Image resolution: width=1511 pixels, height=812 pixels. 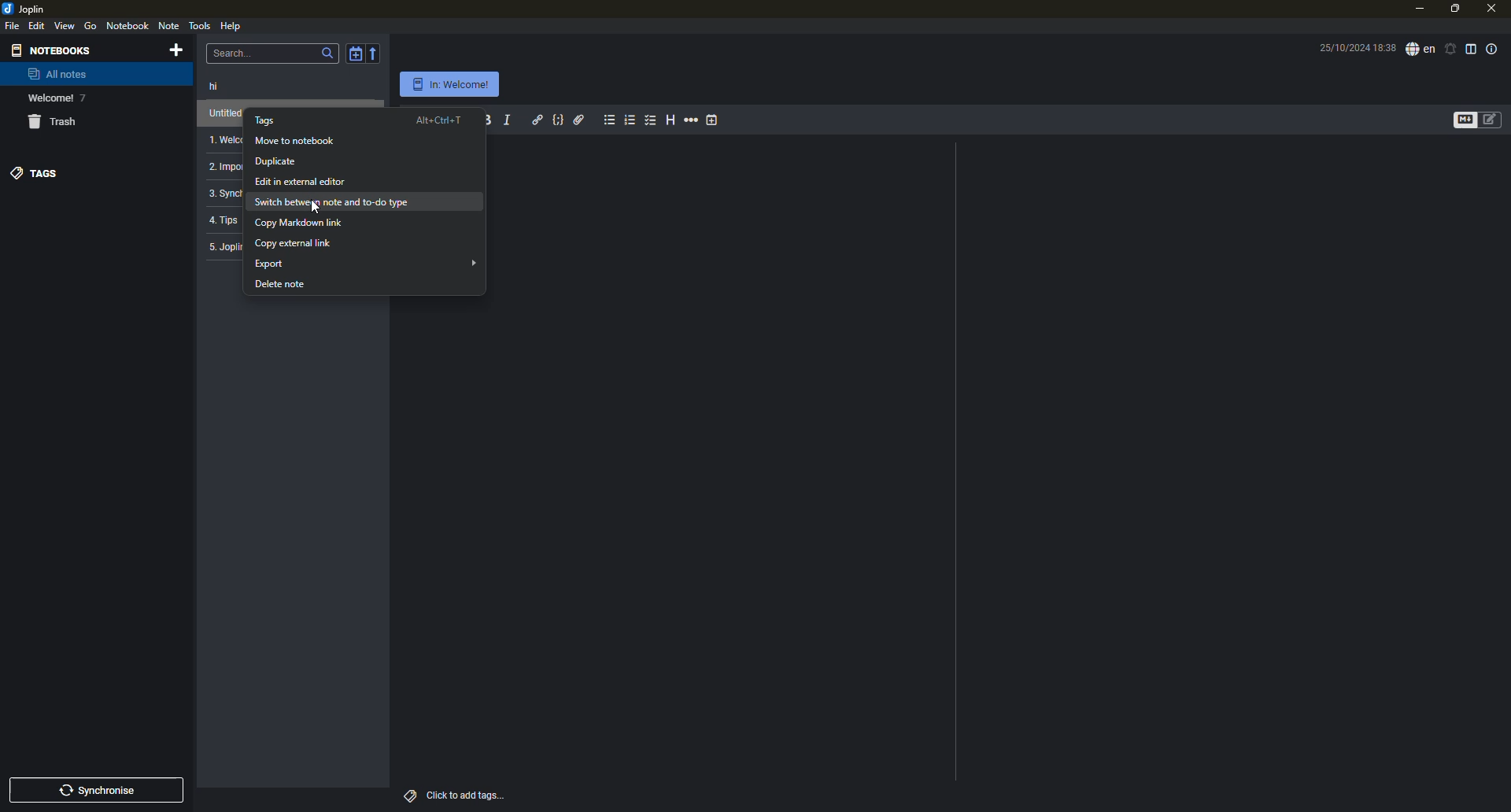 What do you see at coordinates (609, 120) in the screenshot?
I see `bulleted list` at bounding box center [609, 120].